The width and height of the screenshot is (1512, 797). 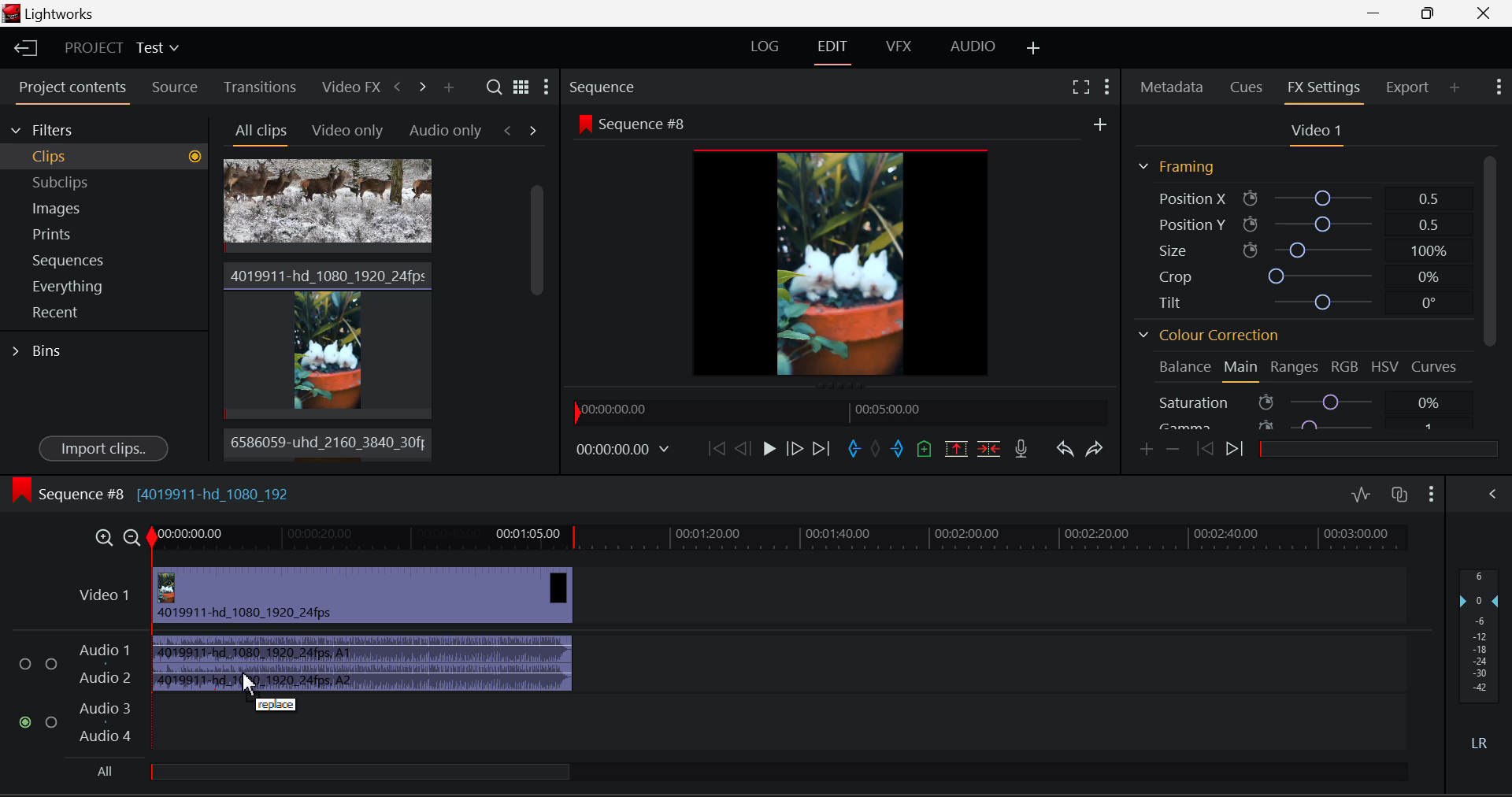 What do you see at coordinates (54, 13) in the screenshot?
I see `Lightworks` at bounding box center [54, 13].